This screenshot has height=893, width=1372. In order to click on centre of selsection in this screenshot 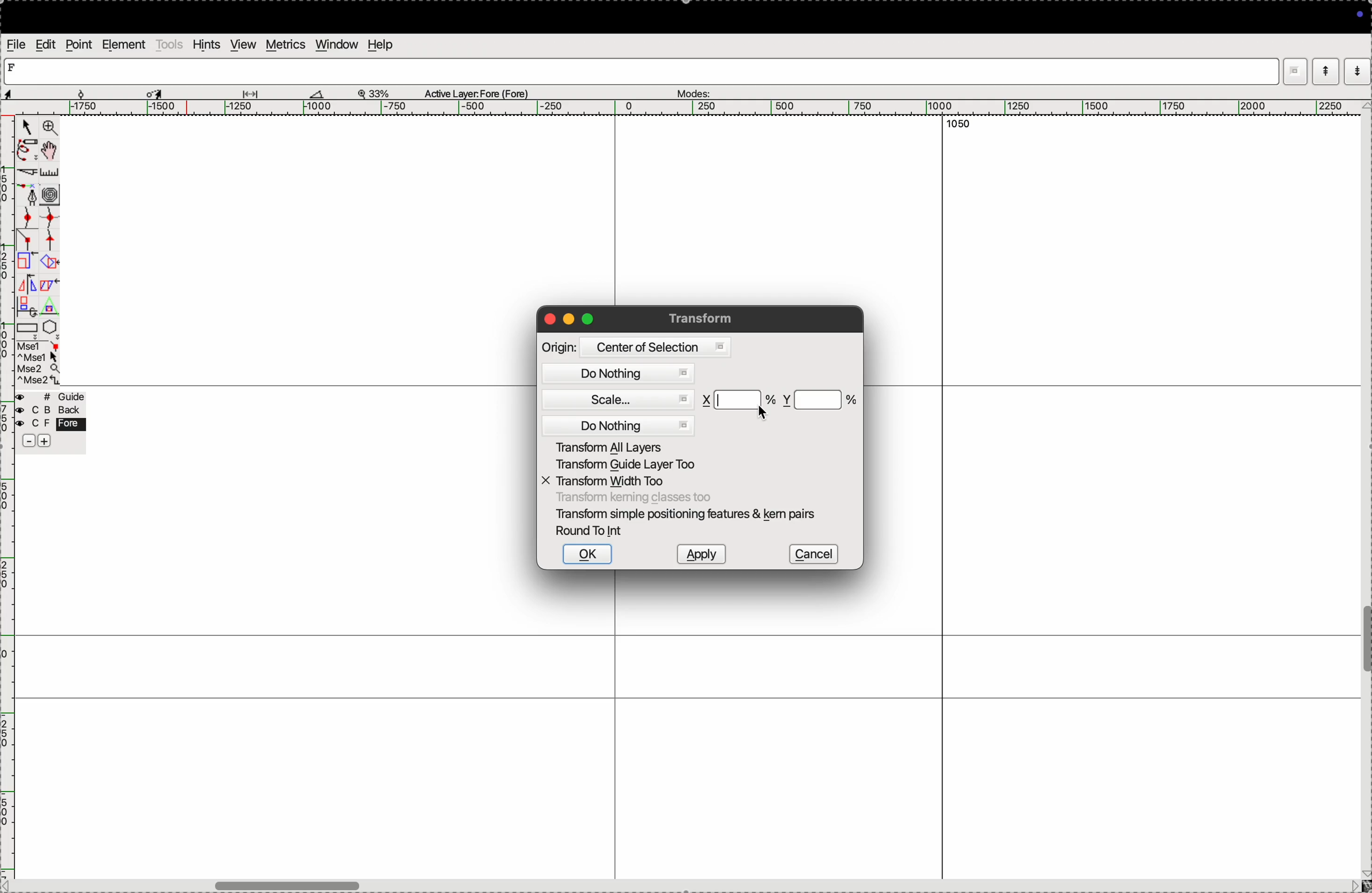, I will do `click(654, 347)`.